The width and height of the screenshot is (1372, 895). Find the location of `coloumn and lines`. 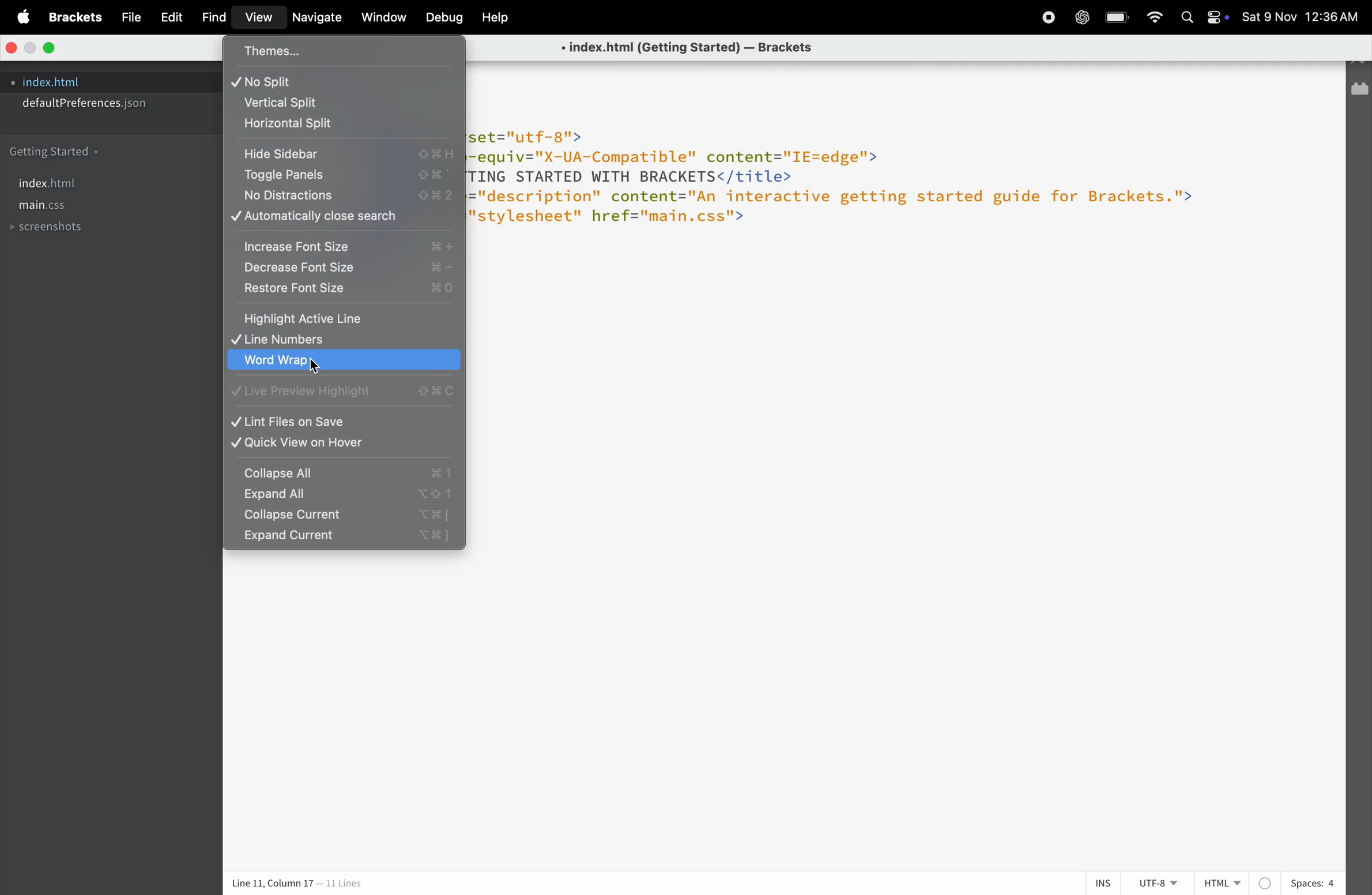

coloumn and lines is located at coordinates (295, 884).